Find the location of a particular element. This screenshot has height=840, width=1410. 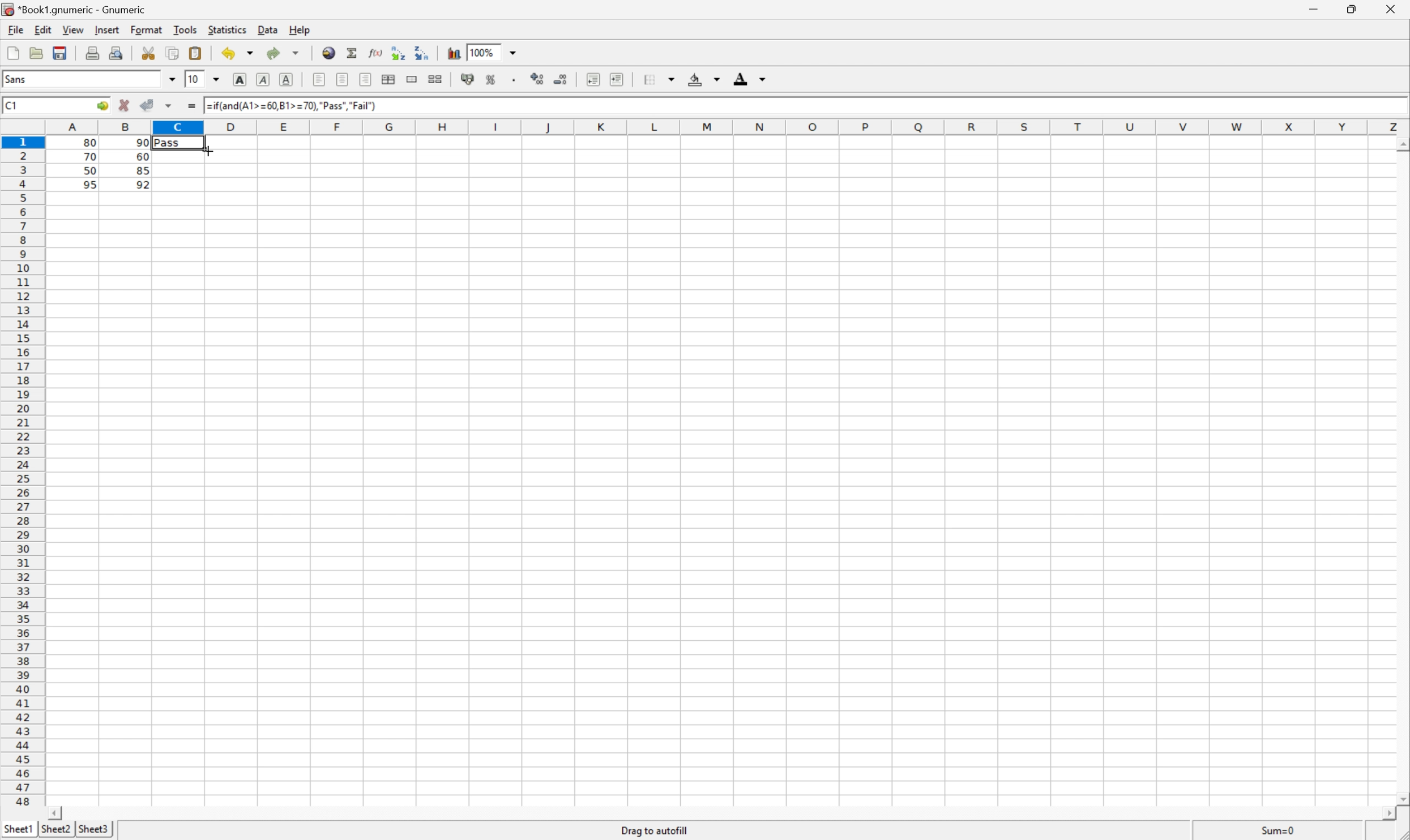

Save the current file is located at coordinates (59, 52).